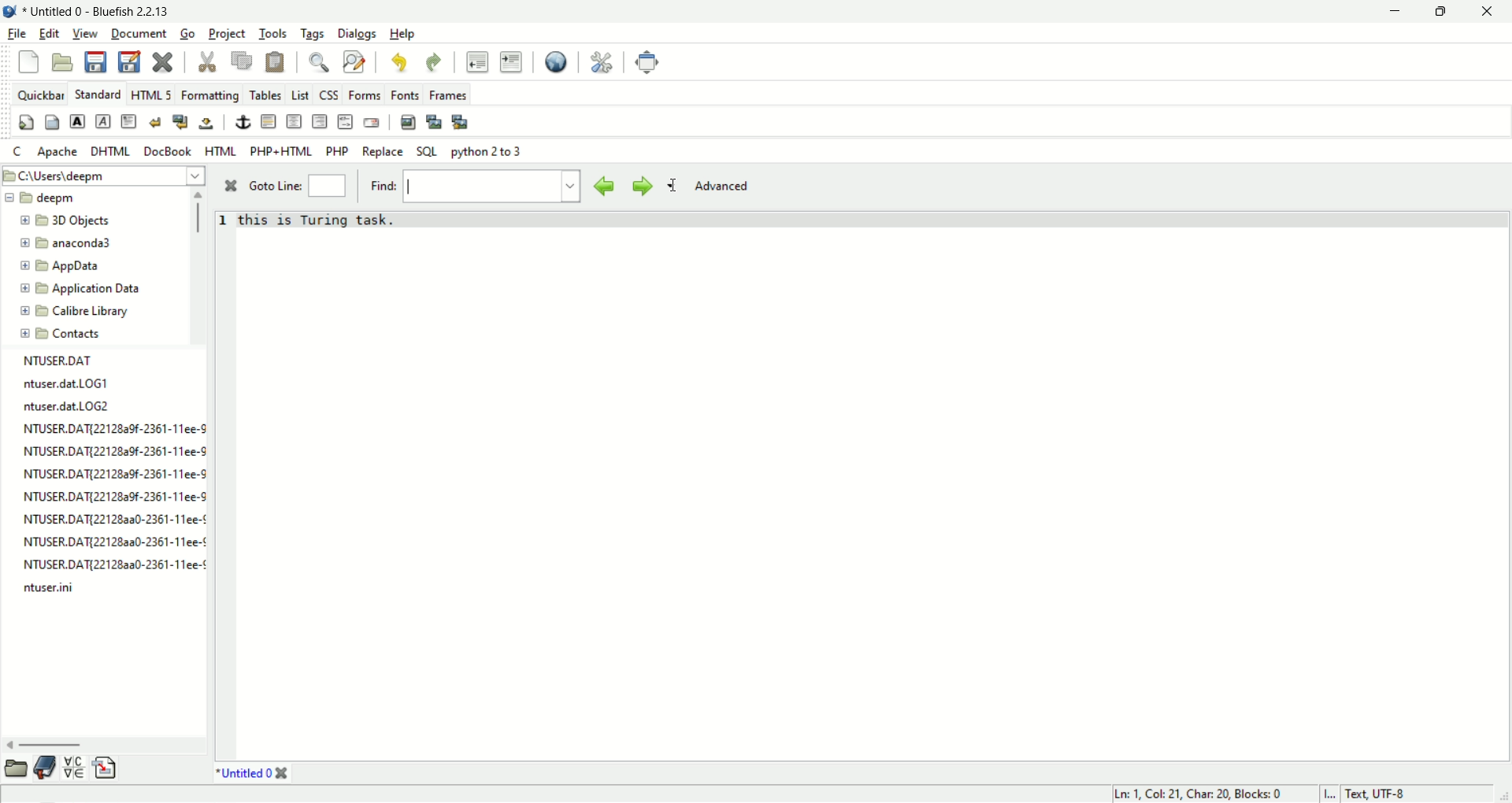  Describe the element at coordinates (84, 34) in the screenshot. I see `view` at that location.